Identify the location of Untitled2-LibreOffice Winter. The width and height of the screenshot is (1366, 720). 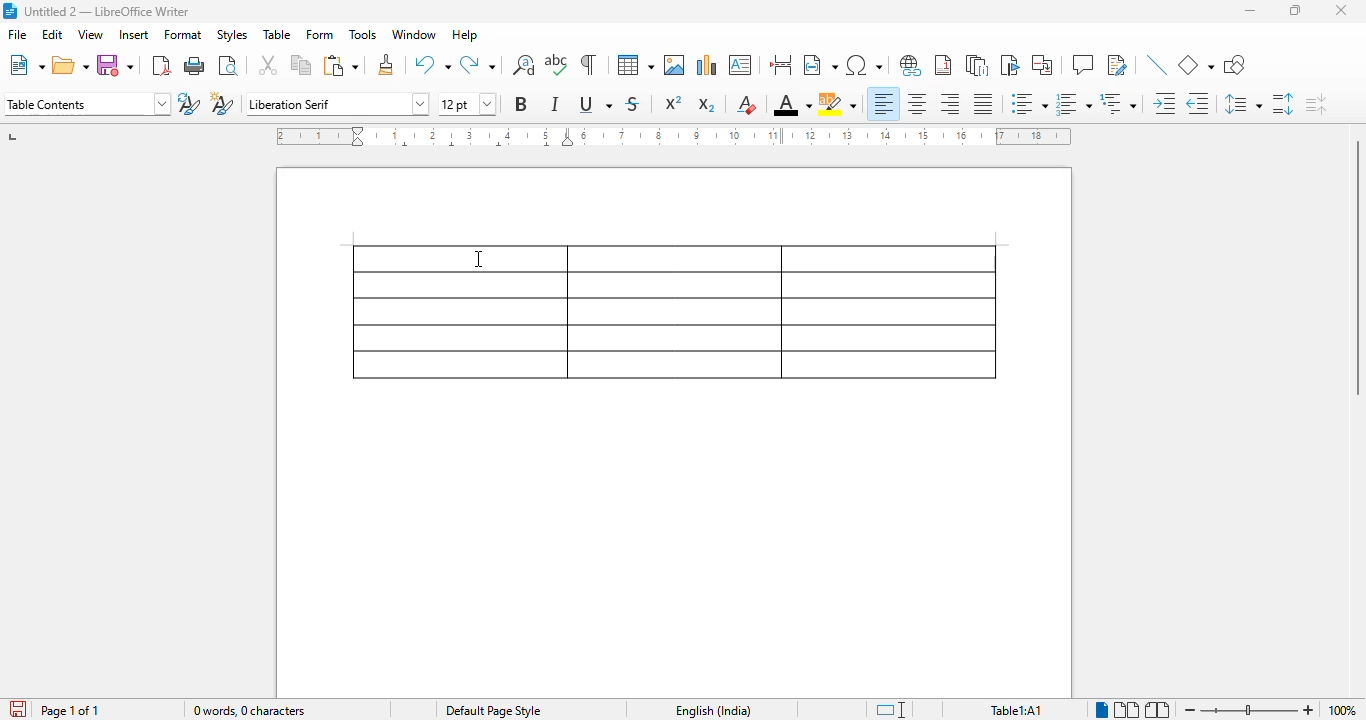
(109, 12).